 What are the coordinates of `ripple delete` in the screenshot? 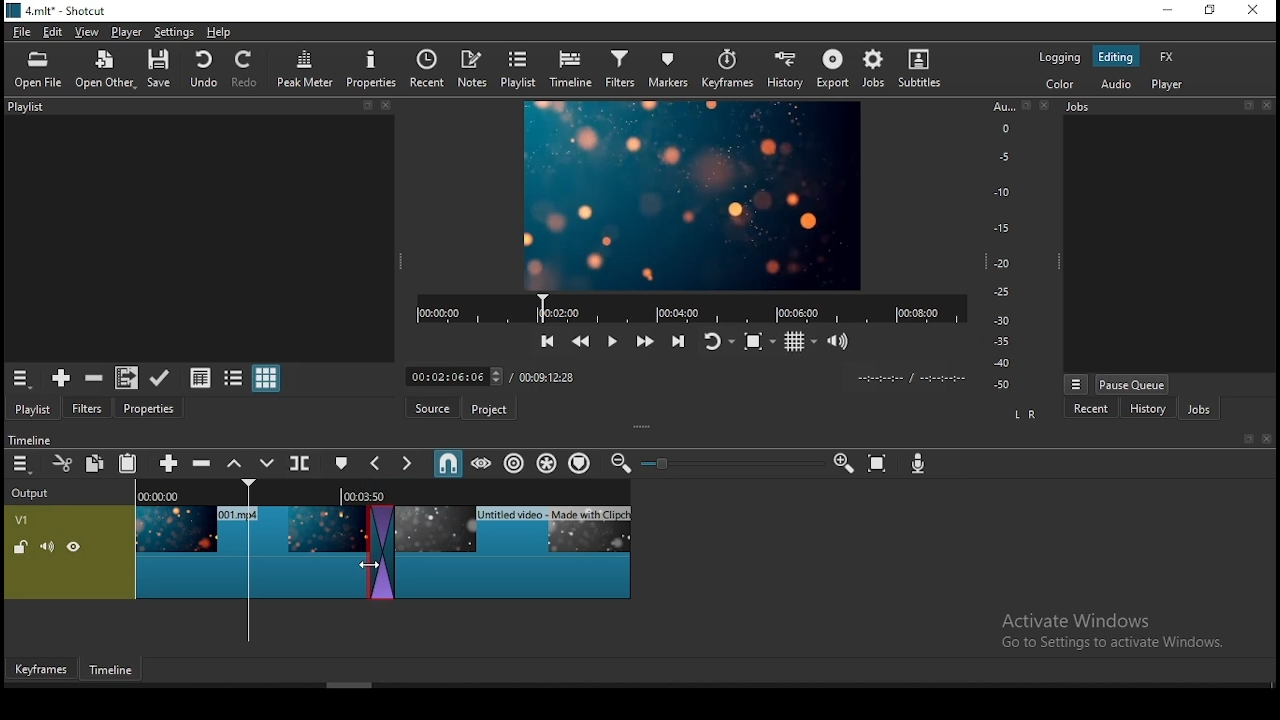 It's located at (199, 463).